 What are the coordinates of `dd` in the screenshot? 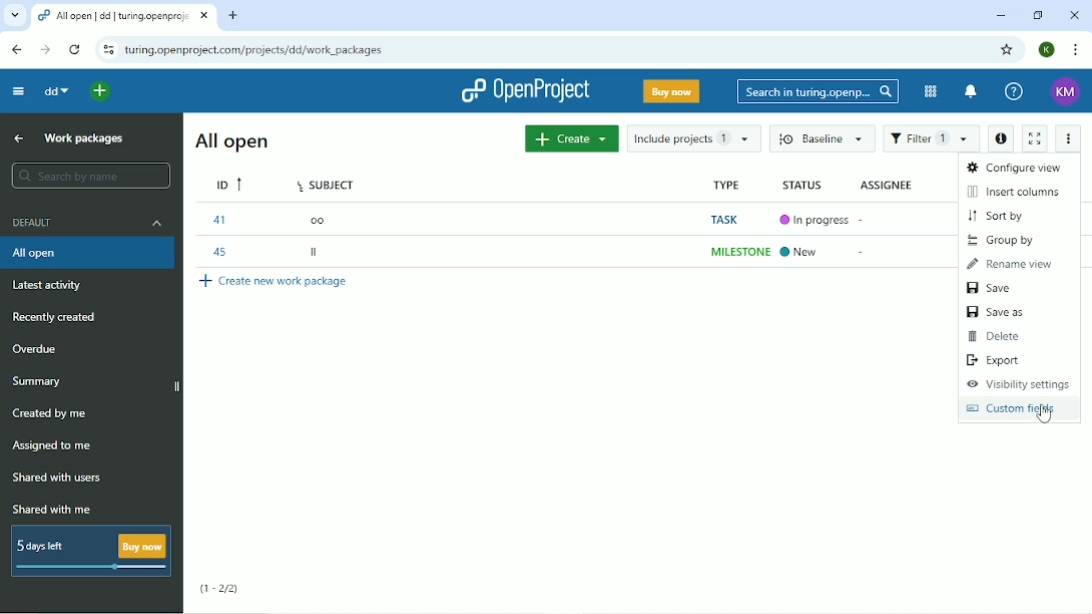 It's located at (55, 91).